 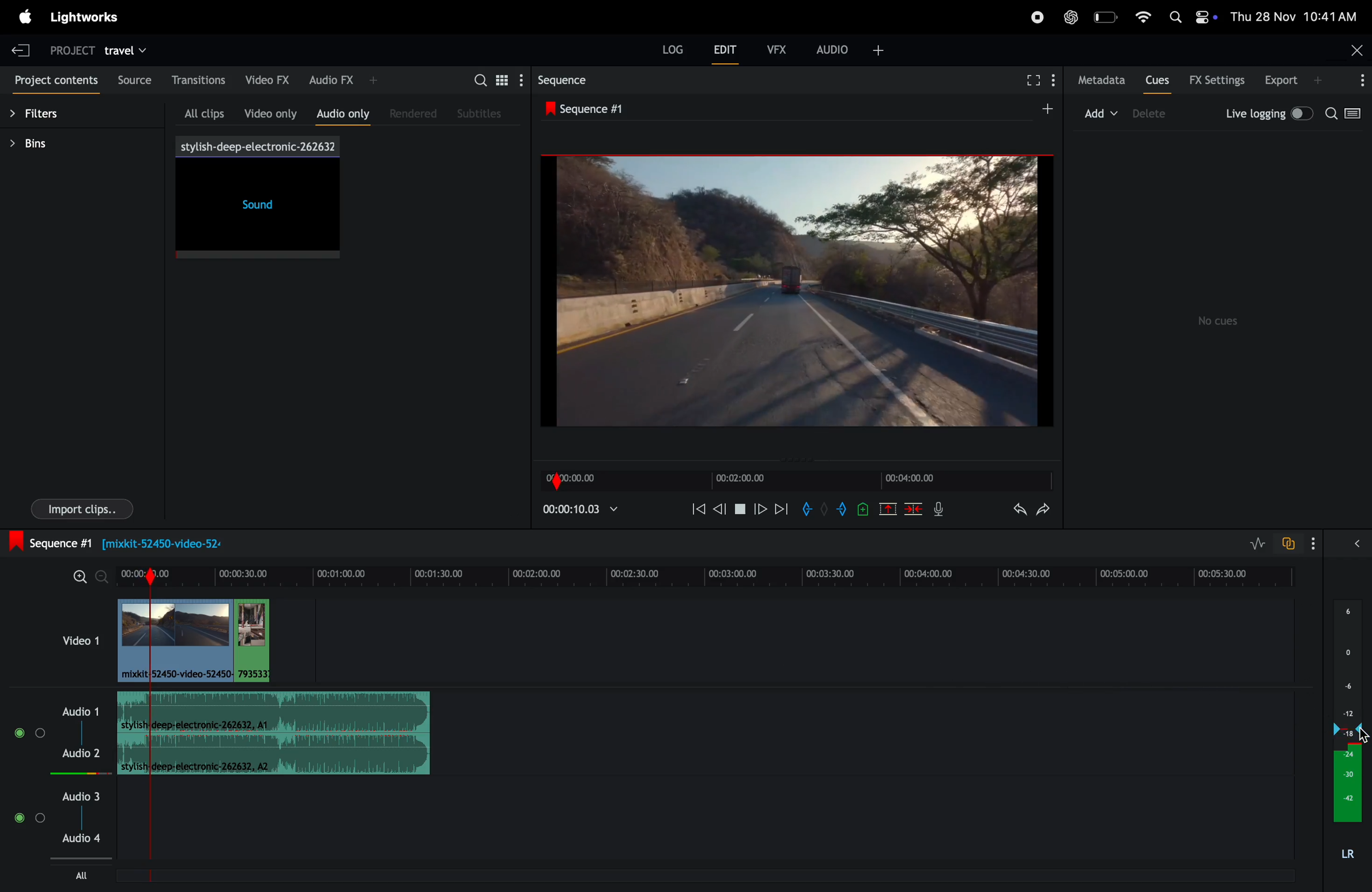 I want to click on sound track, so click(x=276, y=731).